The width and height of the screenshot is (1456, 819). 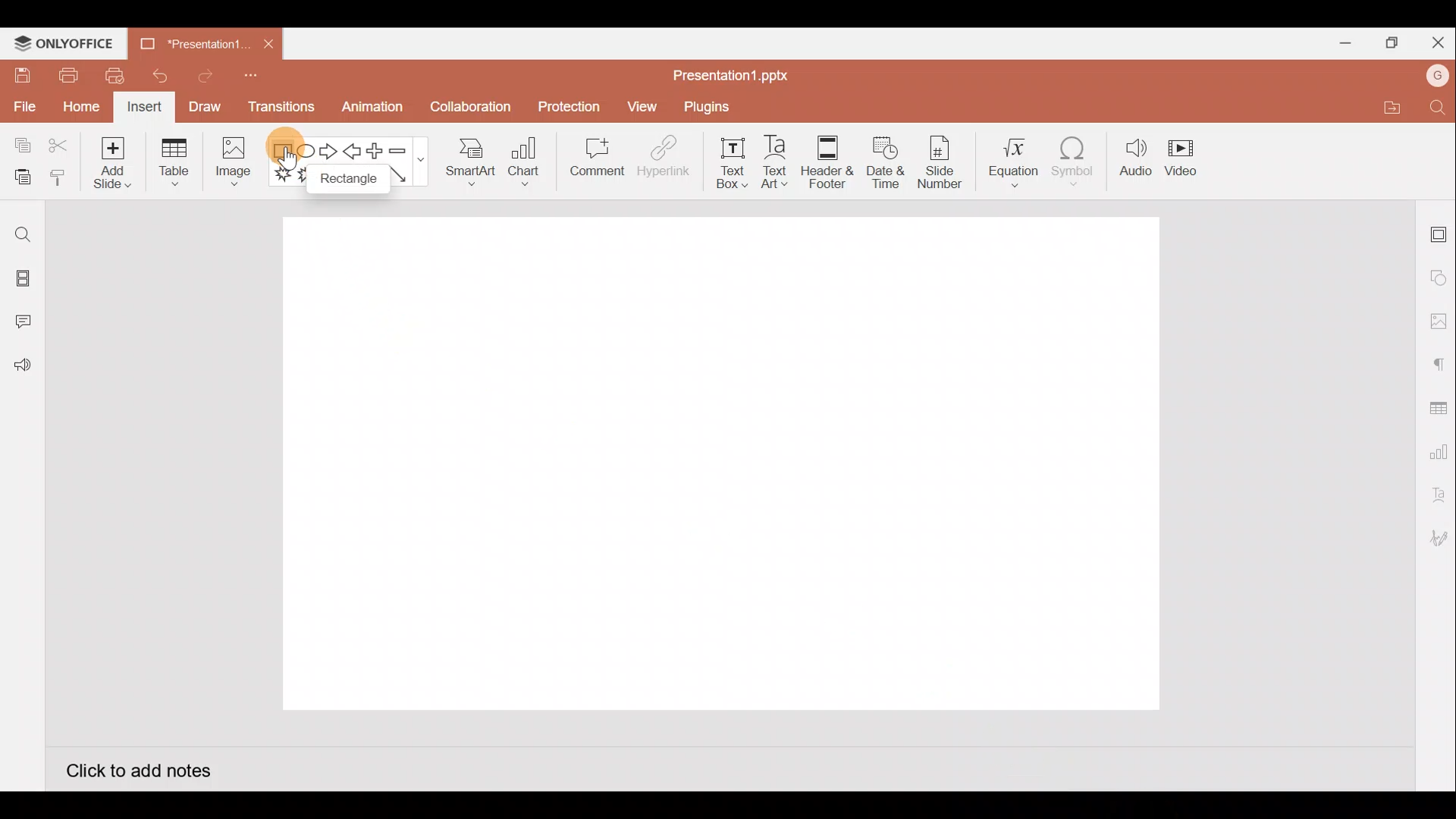 What do you see at coordinates (59, 180) in the screenshot?
I see `Copy style` at bounding box center [59, 180].